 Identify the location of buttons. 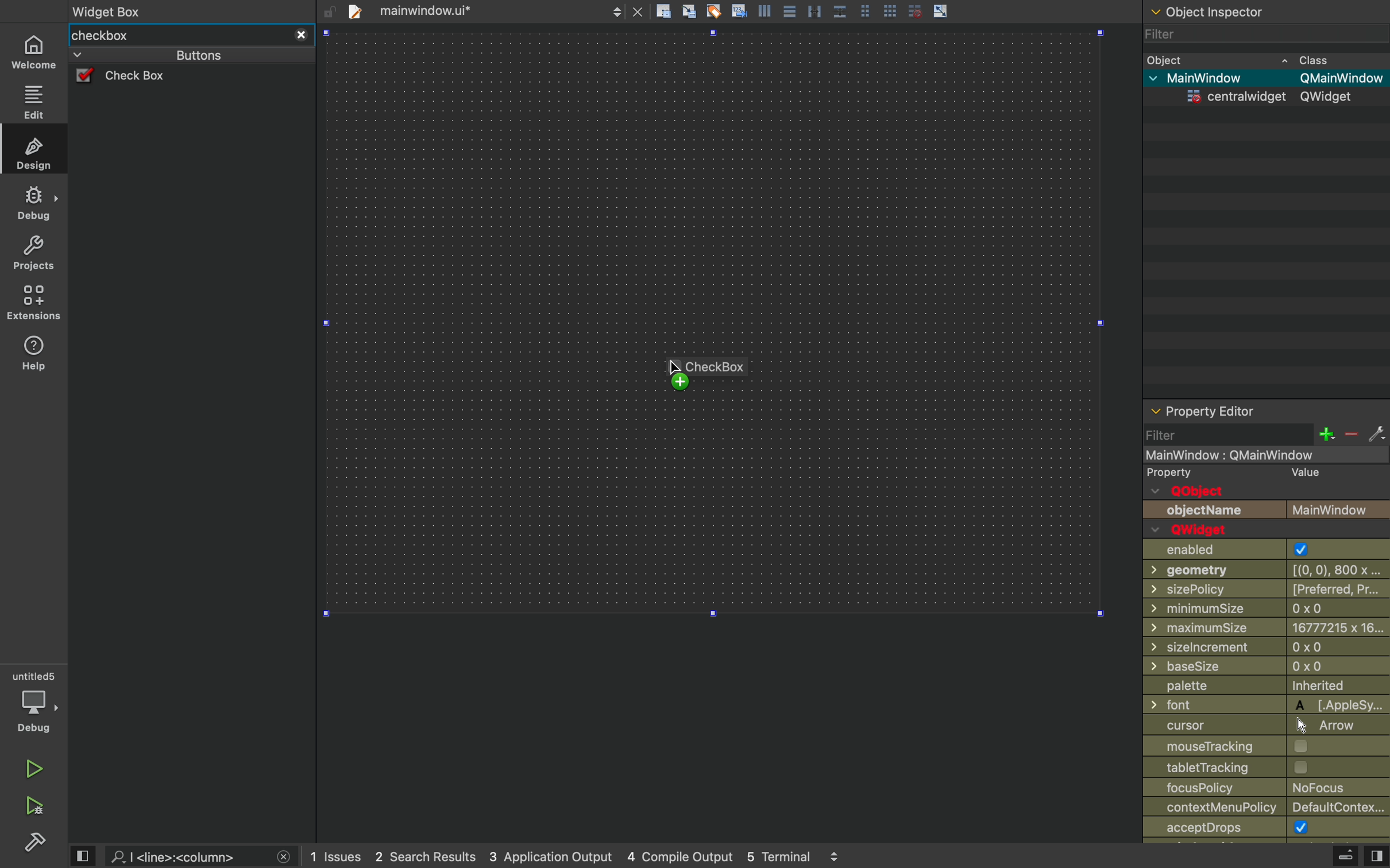
(175, 55).